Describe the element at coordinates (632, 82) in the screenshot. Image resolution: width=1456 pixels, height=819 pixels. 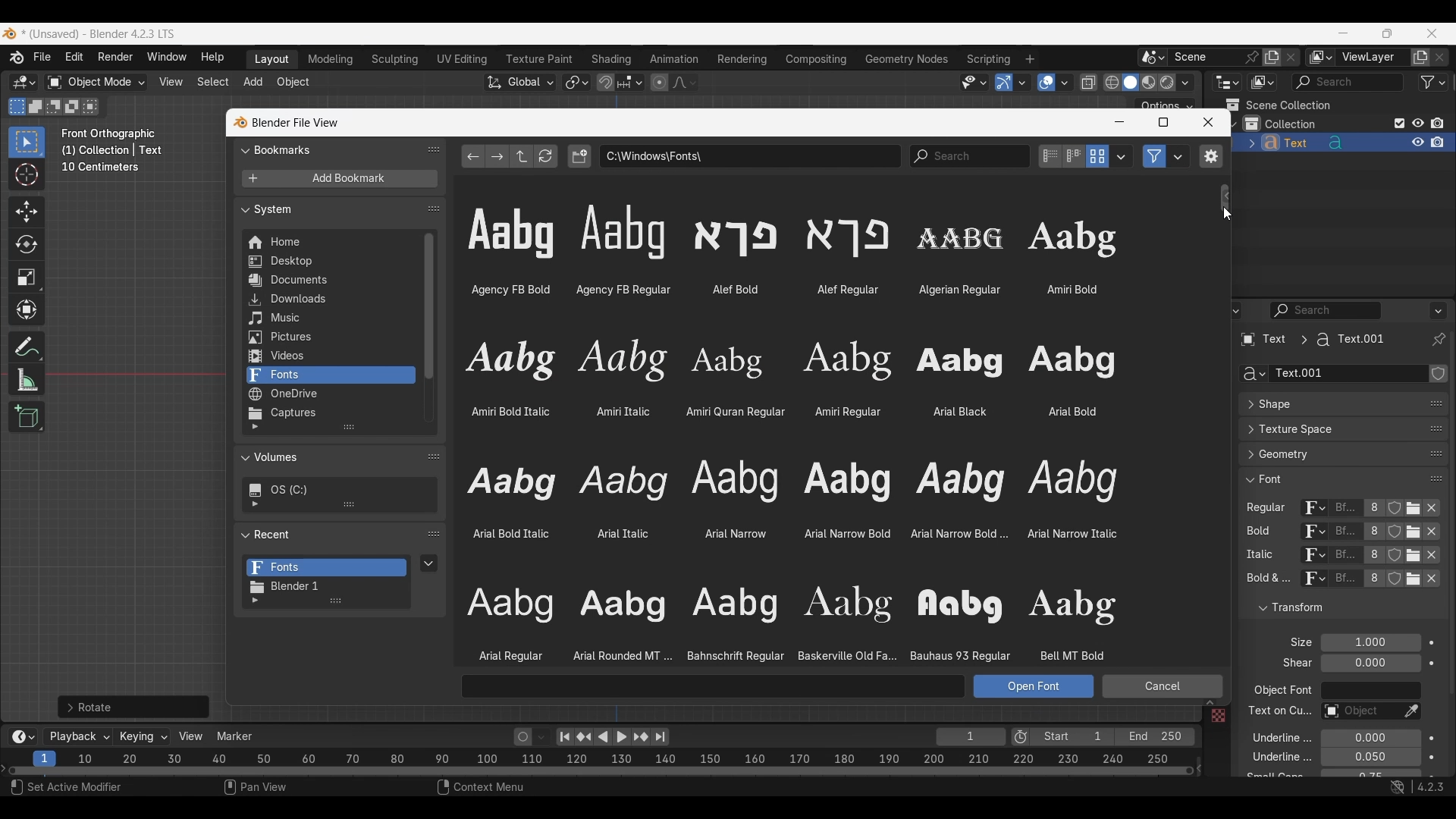
I see `Snapping options` at that location.